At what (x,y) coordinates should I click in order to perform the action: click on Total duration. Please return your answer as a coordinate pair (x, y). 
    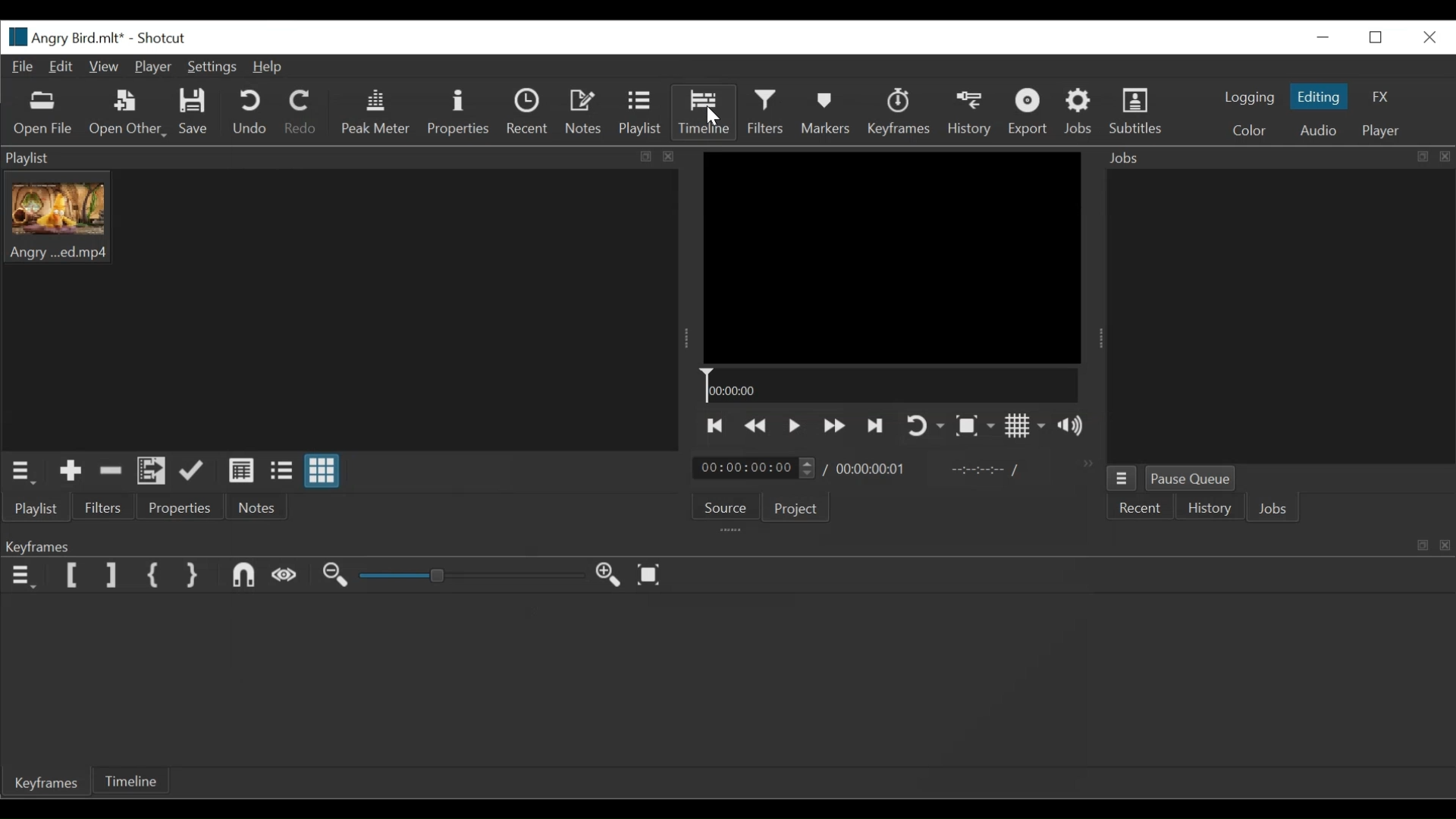
    Looking at the image, I should click on (870, 471).